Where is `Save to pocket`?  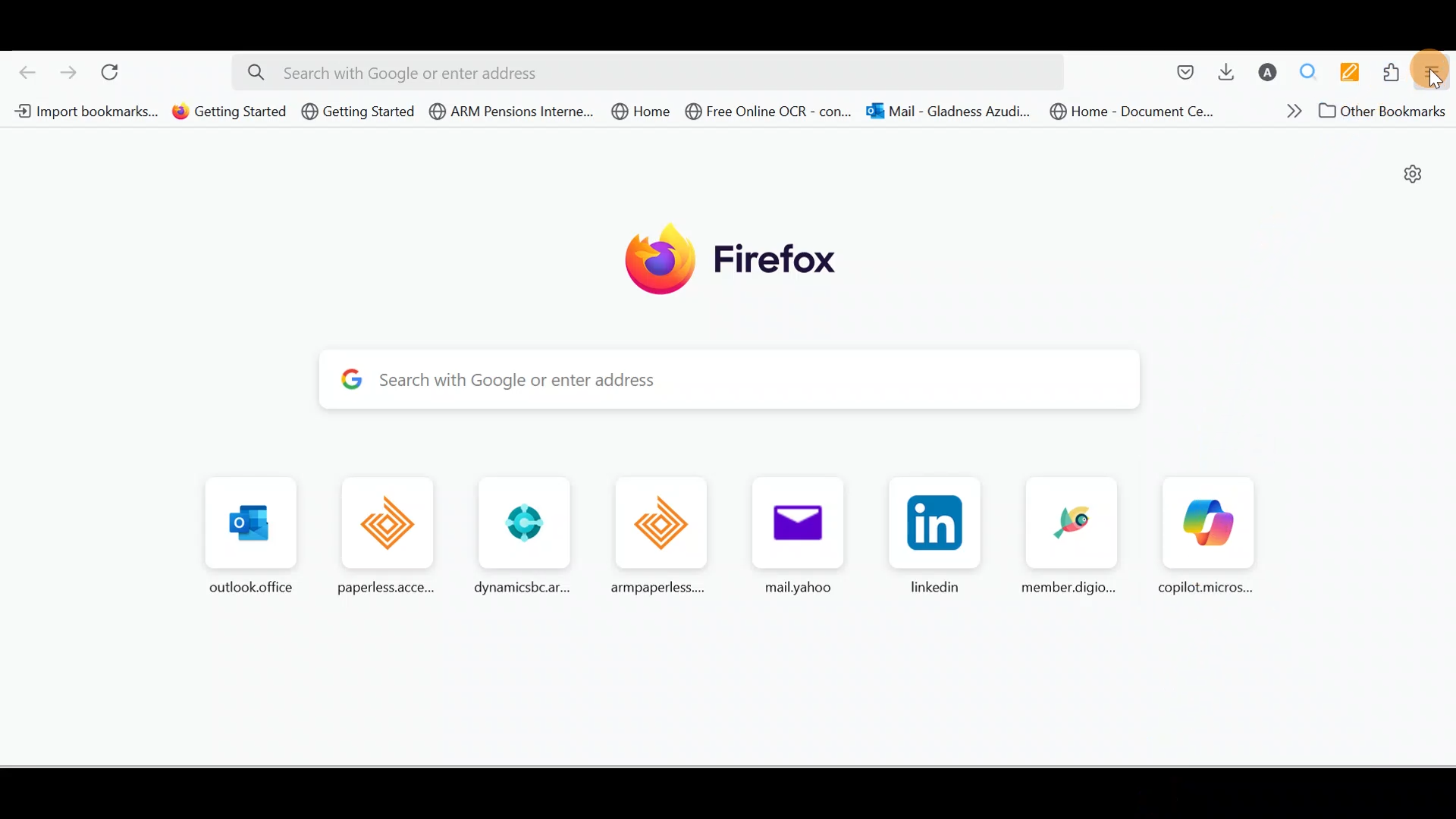 Save to pocket is located at coordinates (1185, 71).